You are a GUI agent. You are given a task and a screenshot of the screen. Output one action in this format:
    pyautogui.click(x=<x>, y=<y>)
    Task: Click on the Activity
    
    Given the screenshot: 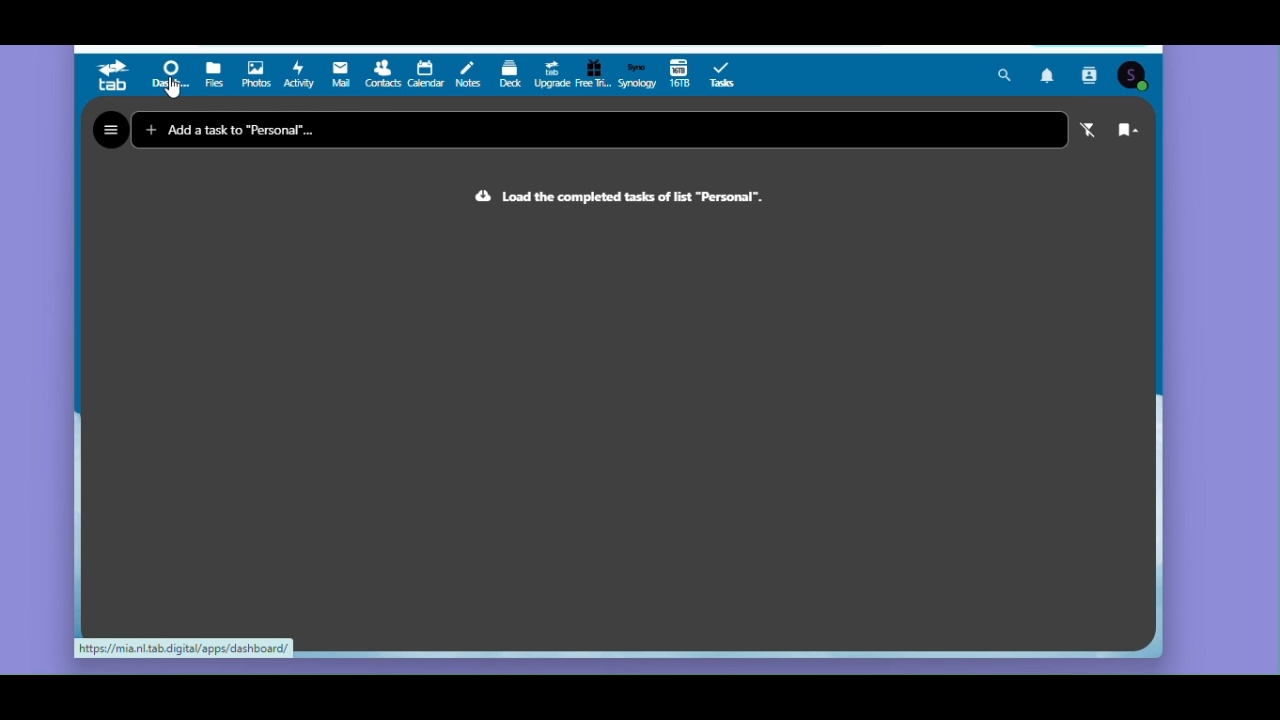 What is the action you would take?
    pyautogui.click(x=297, y=75)
    